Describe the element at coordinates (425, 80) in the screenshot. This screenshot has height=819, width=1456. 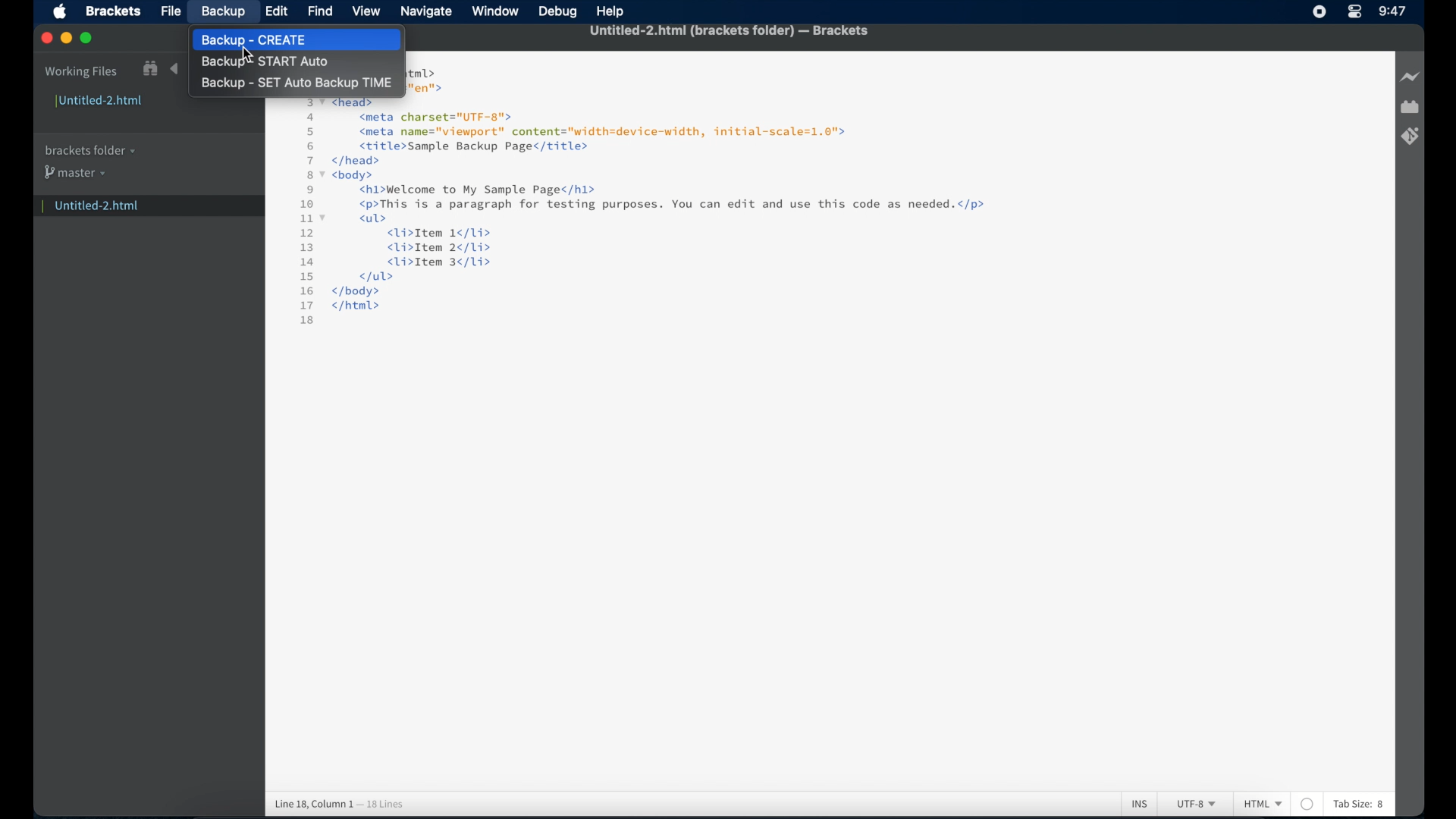
I see `tml> "en">` at that location.